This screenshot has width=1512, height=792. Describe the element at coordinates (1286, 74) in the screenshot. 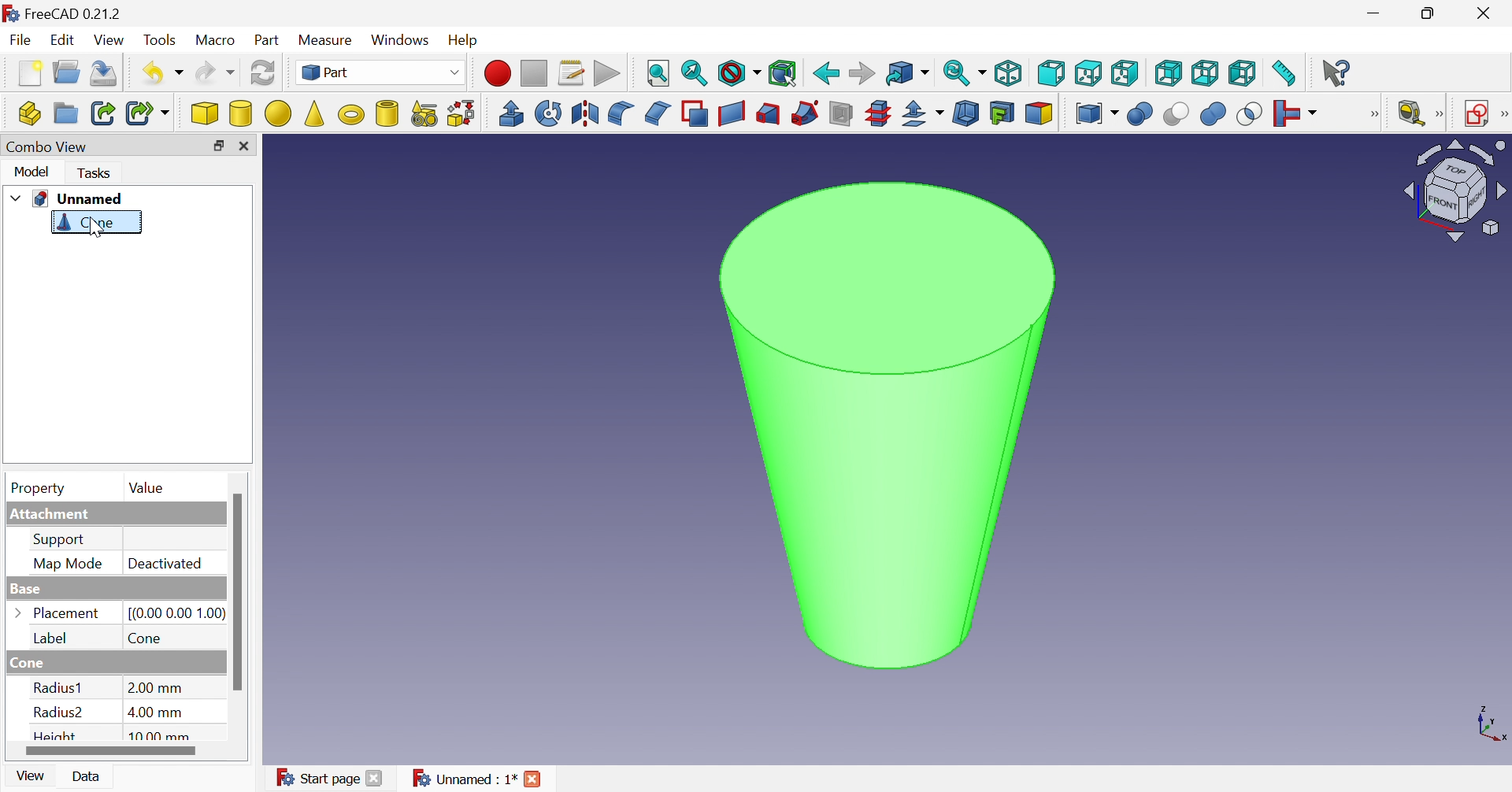

I see `Measure distance` at that location.